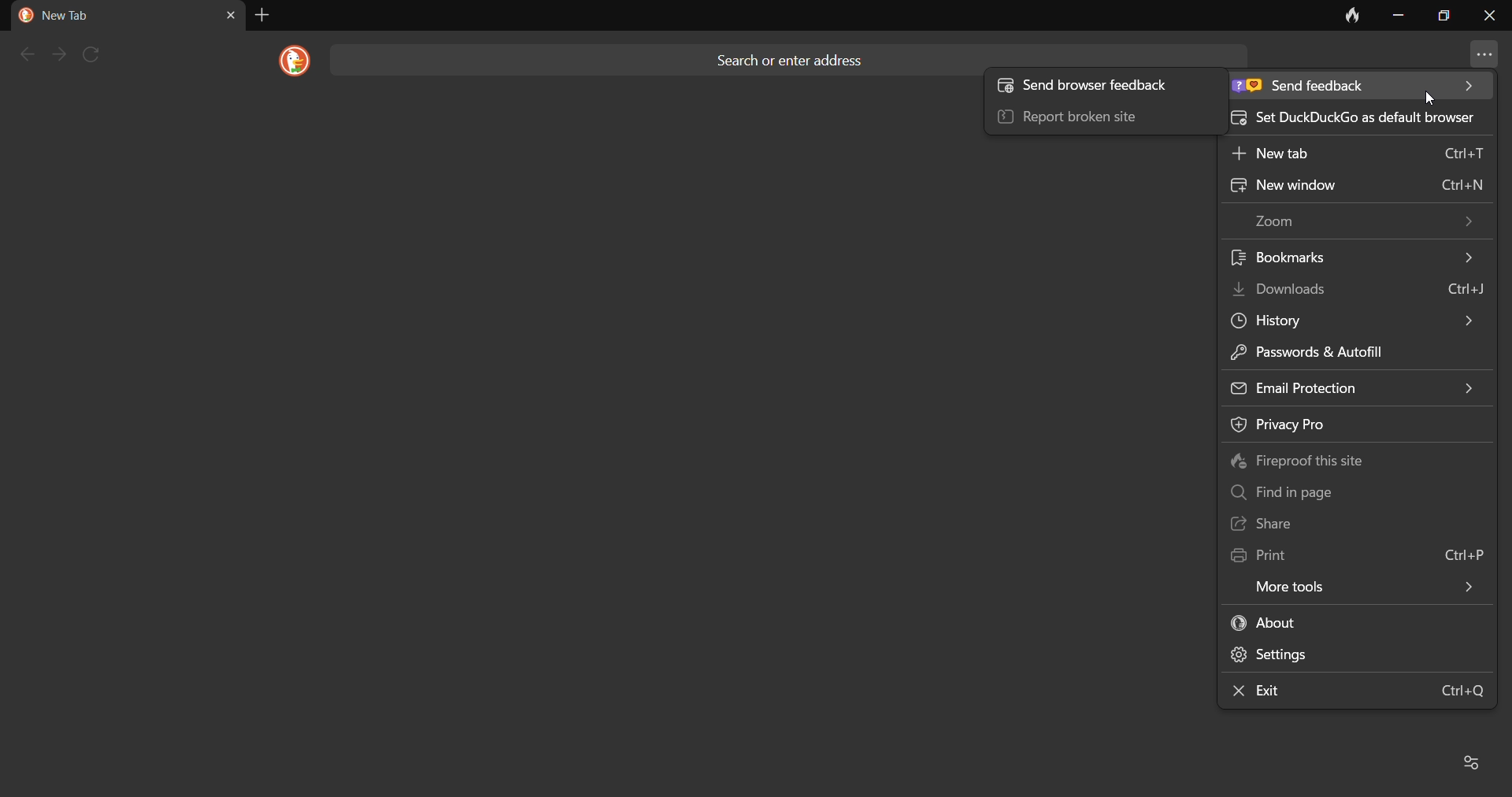 The image size is (1512, 797). What do you see at coordinates (1091, 118) in the screenshot?
I see `report broken site` at bounding box center [1091, 118].